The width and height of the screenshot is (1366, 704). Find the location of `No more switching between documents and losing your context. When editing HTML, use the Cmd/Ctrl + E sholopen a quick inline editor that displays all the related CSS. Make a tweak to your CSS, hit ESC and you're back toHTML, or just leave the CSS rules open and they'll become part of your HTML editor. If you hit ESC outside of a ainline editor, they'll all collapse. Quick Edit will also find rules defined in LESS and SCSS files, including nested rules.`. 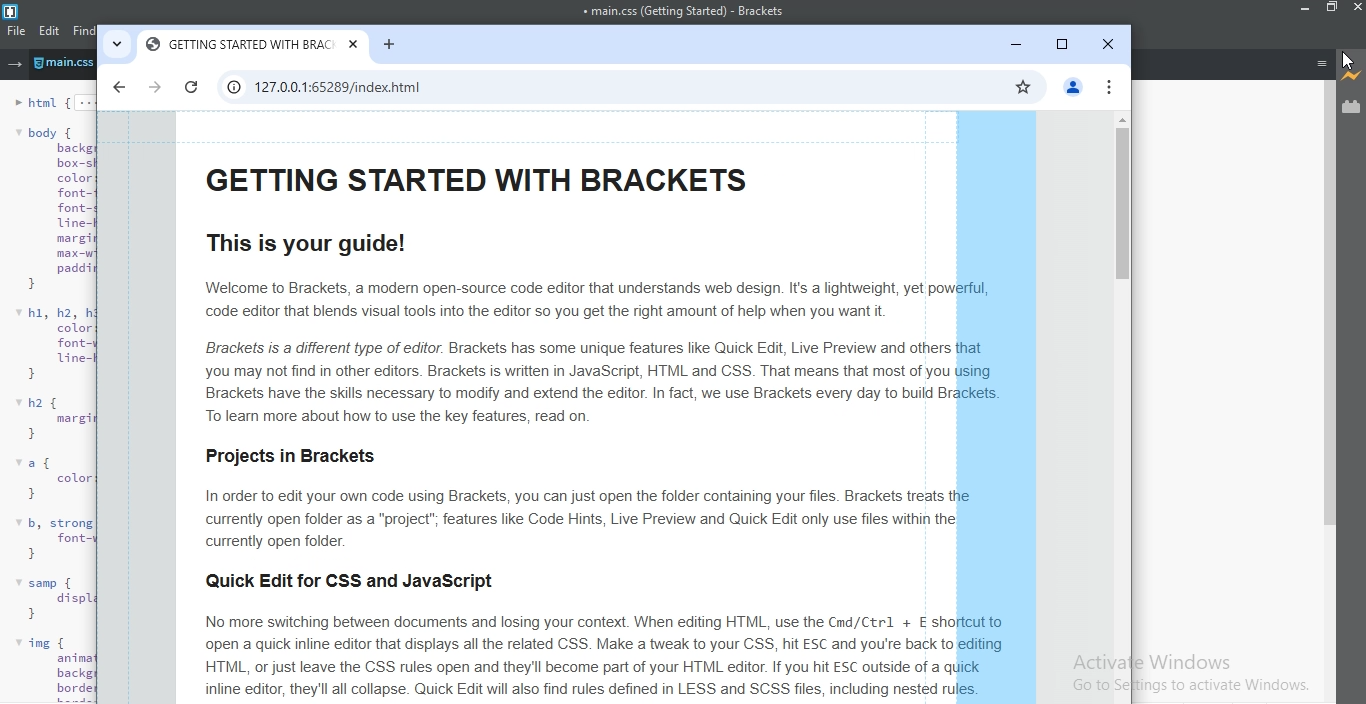

No more switching between documents and losing your context. When editing HTML, use the Cmd/Ctrl + E sholopen a quick inline editor that displays all the related CSS. Make a tweak to your CSS, hit ESC and you're back toHTML, or just leave the CSS rules open and they'll become part of your HTML editor. If you hit ESC outside of a ainline editor, they'll all collapse. Quick Edit will also find rules defined in LESS and SCSS files, including nested rules. is located at coordinates (600, 655).